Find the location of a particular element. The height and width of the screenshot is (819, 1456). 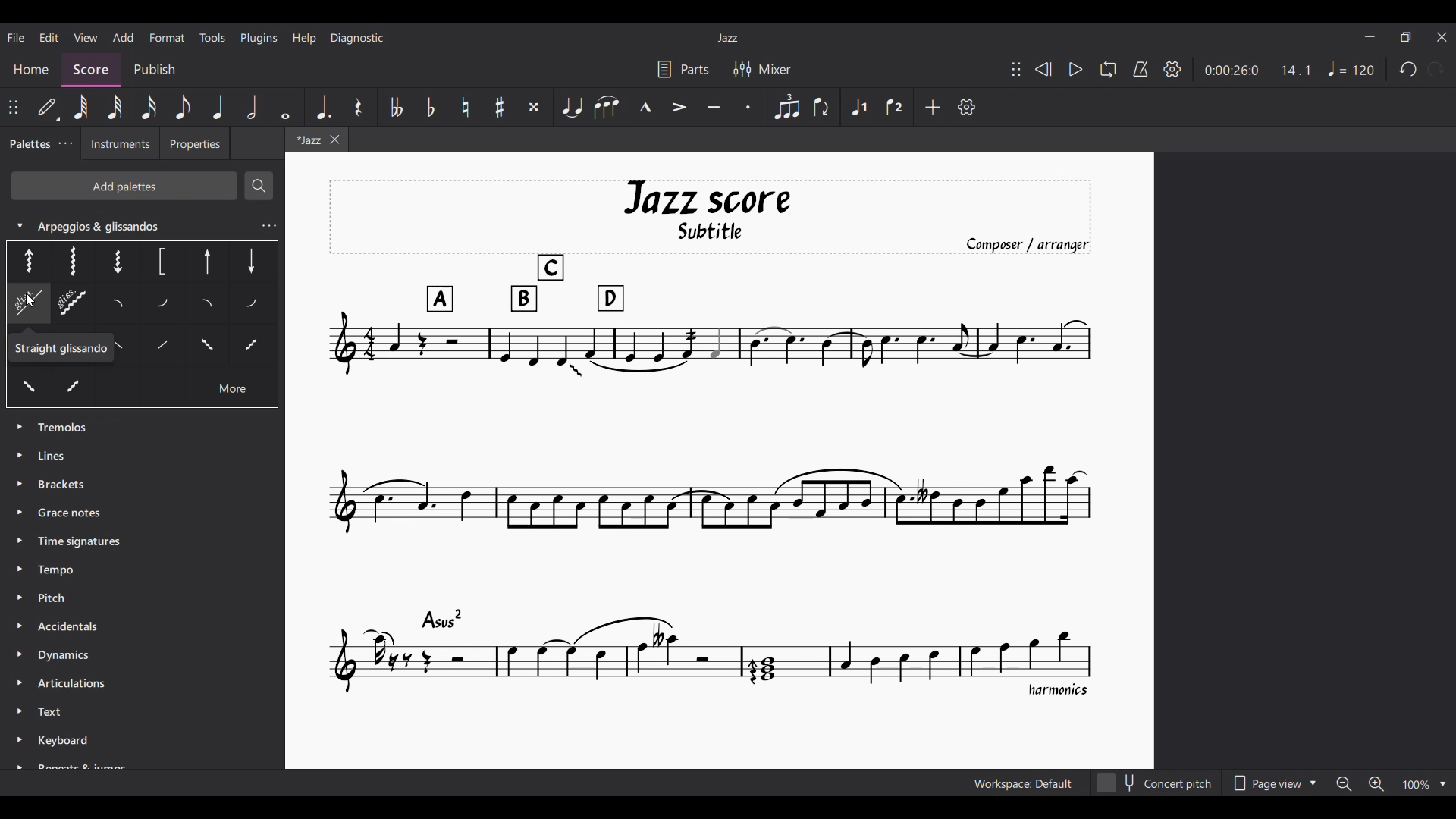

Properties is located at coordinates (194, 145).